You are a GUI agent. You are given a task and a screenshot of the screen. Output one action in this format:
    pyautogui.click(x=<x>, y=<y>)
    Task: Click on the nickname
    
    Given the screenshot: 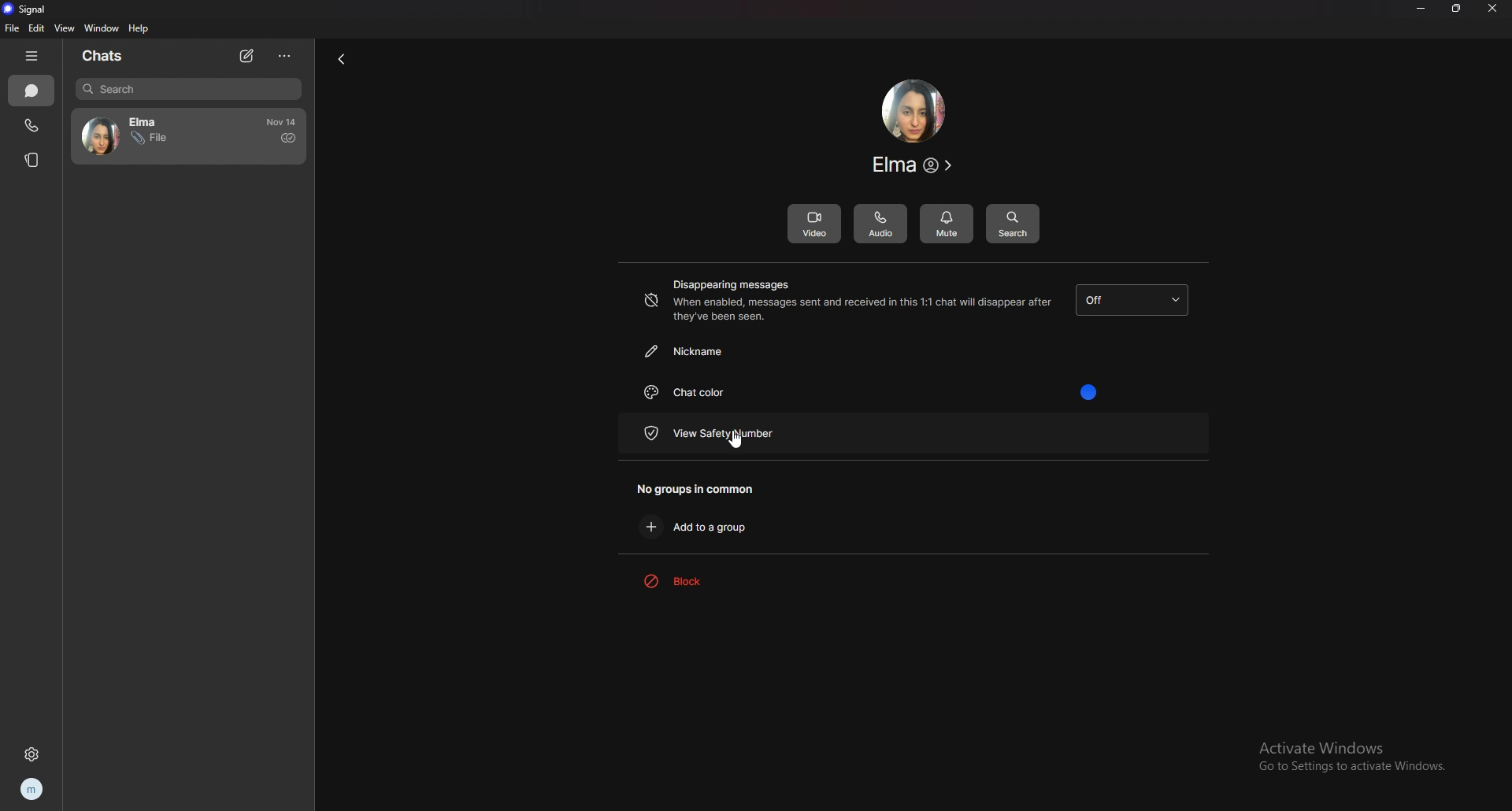 What is the action you would take?
    pyautogui.click(x=749, y=351)
    